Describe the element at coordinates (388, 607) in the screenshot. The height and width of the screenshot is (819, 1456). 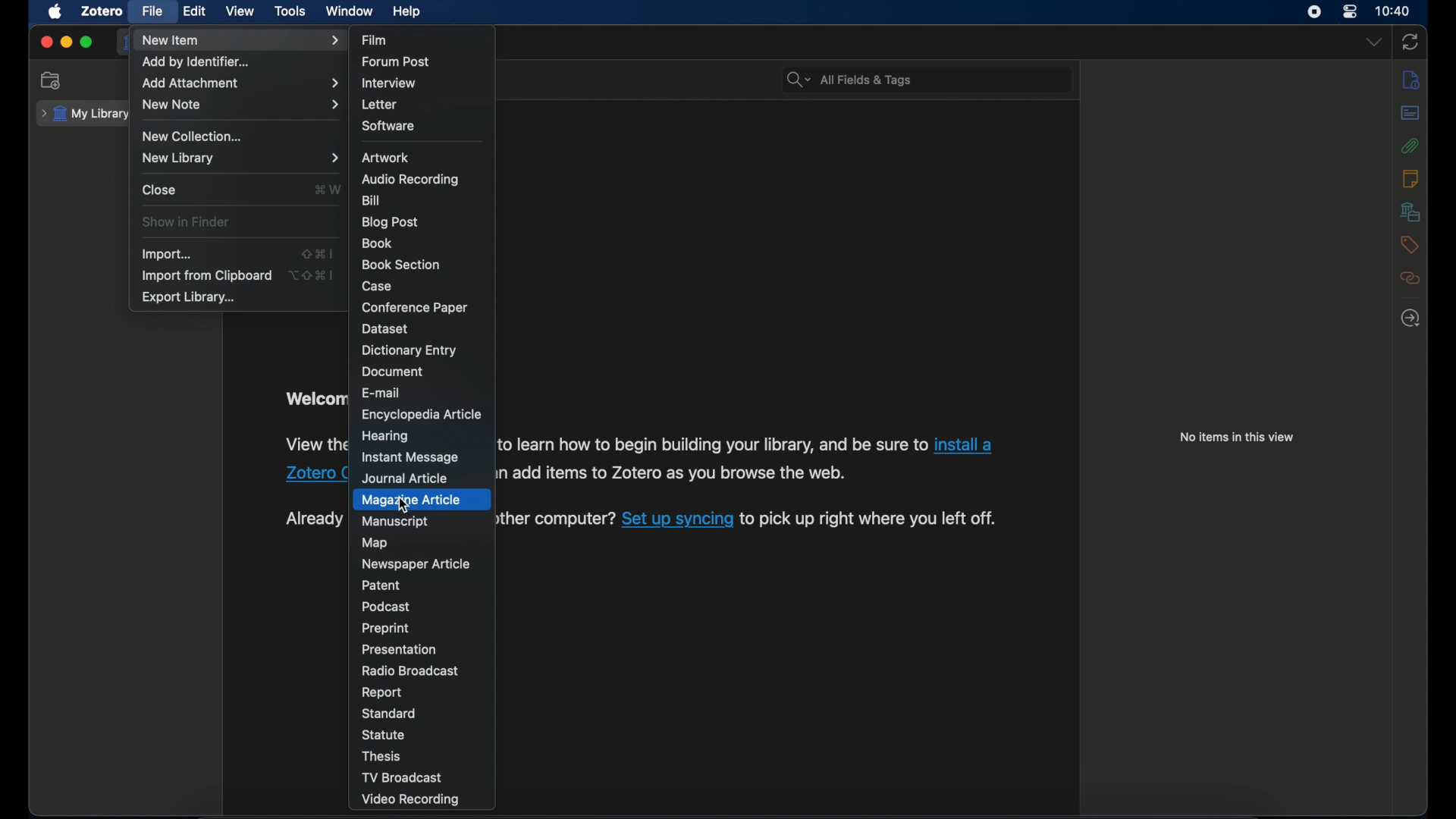
I see `podcast` at that location.